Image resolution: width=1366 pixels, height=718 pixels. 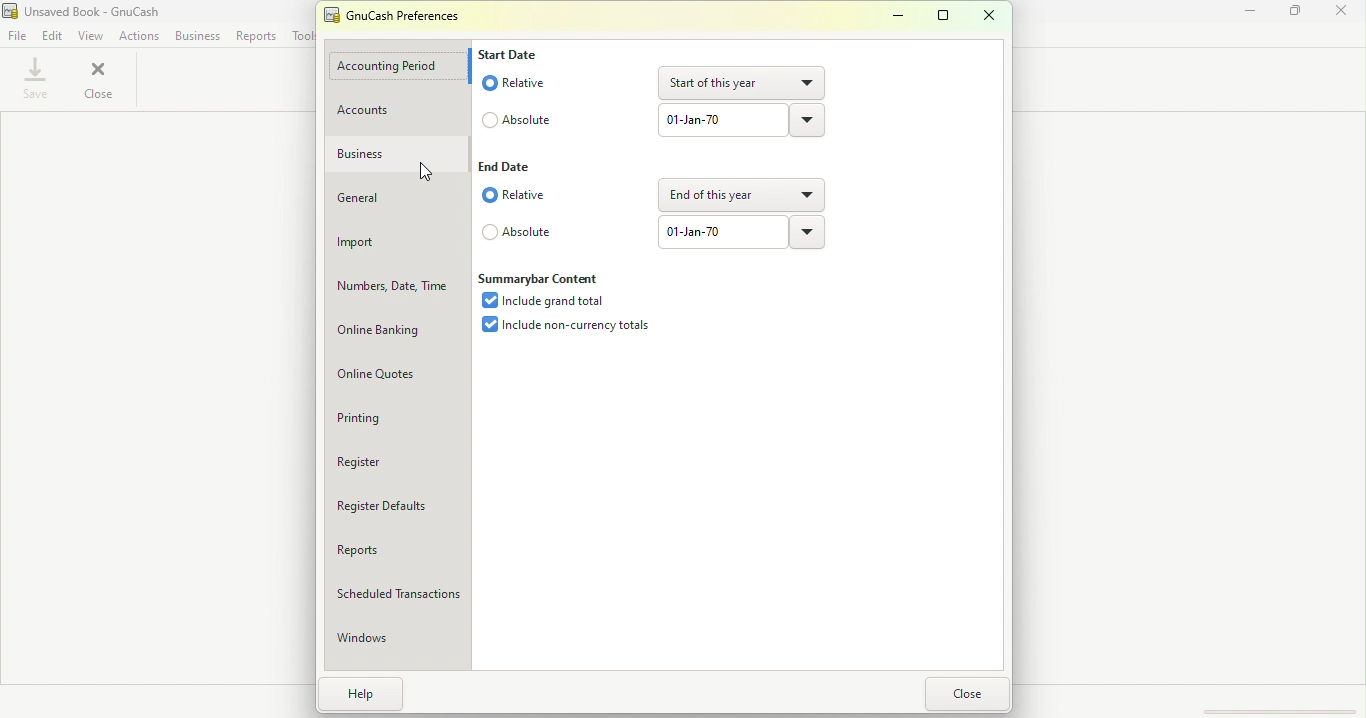 What do you see at coordinates (397, 373) in the screenshot?
I see `Online quotes` at bounding box center [397, 373].